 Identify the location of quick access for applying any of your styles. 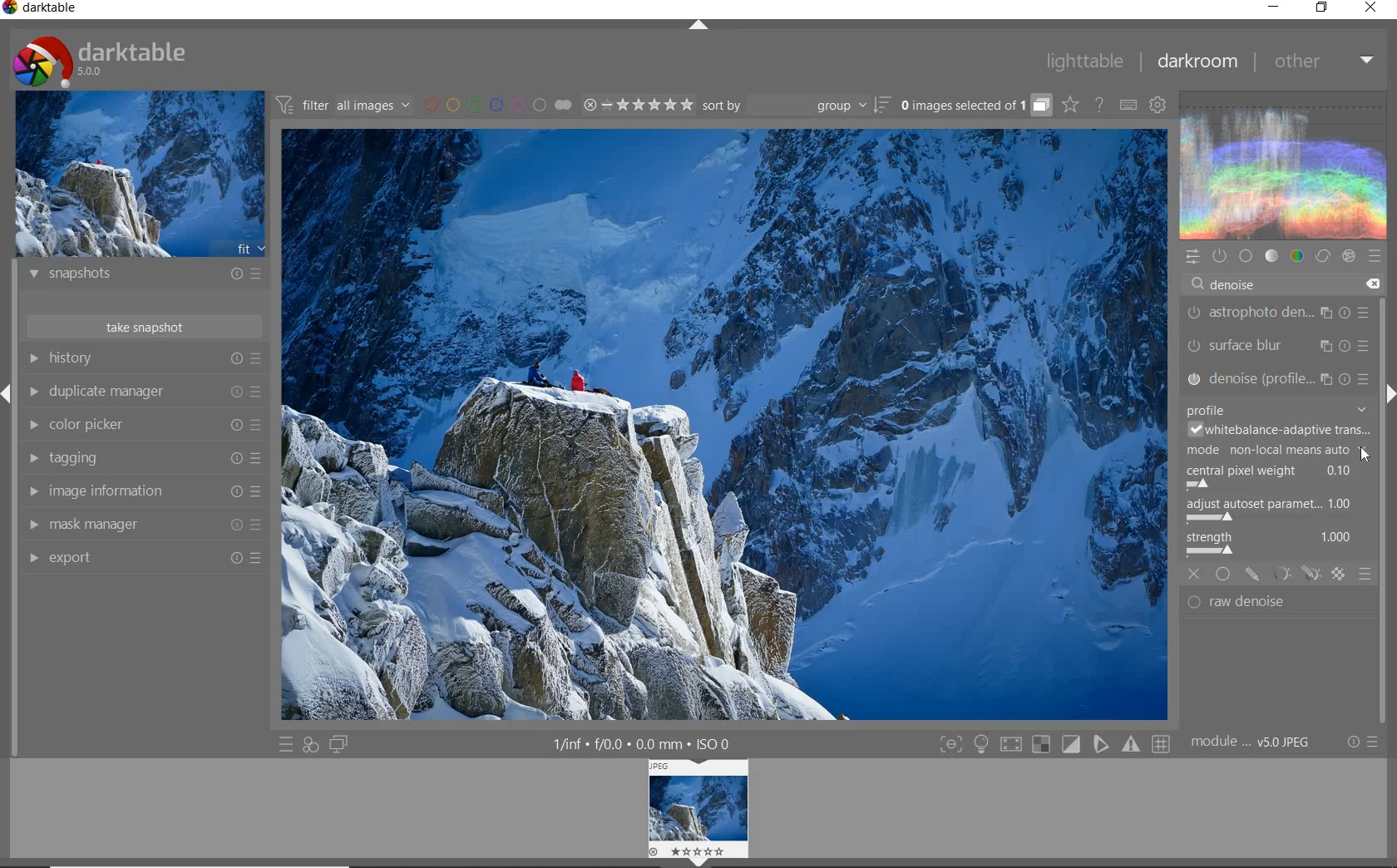
(311, 747).